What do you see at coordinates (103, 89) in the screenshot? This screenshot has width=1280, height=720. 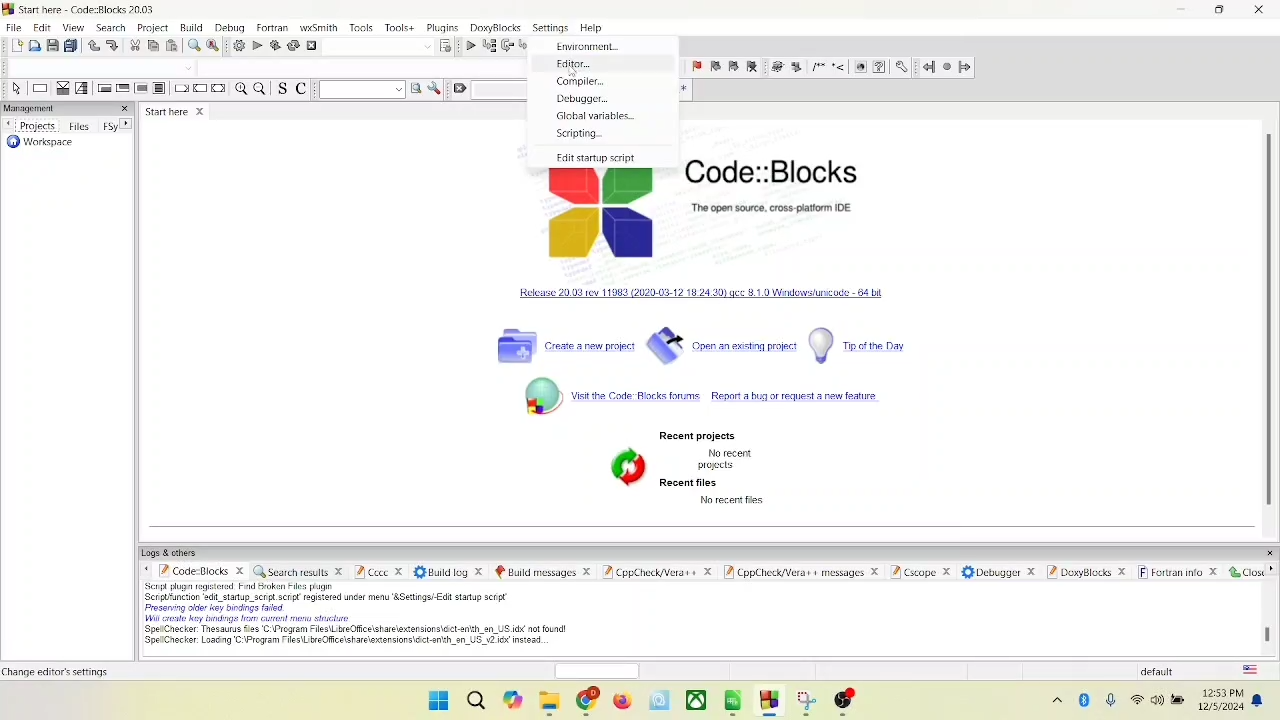 I see `entry condition loop` at bounding box center [103, 89].